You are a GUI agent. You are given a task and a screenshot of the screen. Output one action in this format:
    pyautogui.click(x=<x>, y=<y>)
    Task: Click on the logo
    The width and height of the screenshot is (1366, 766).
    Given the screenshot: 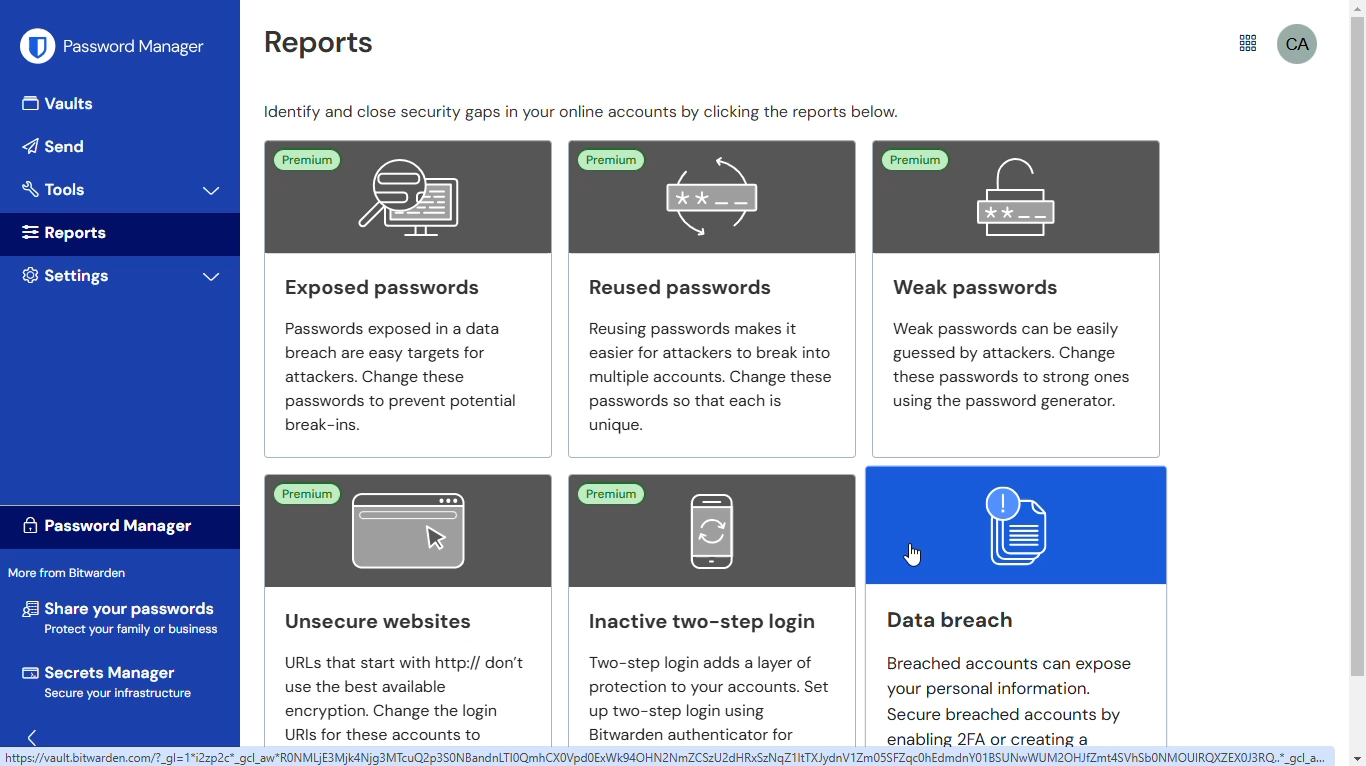 What is the action you would take?
    pyautogui.click(x=38, y=46)
    